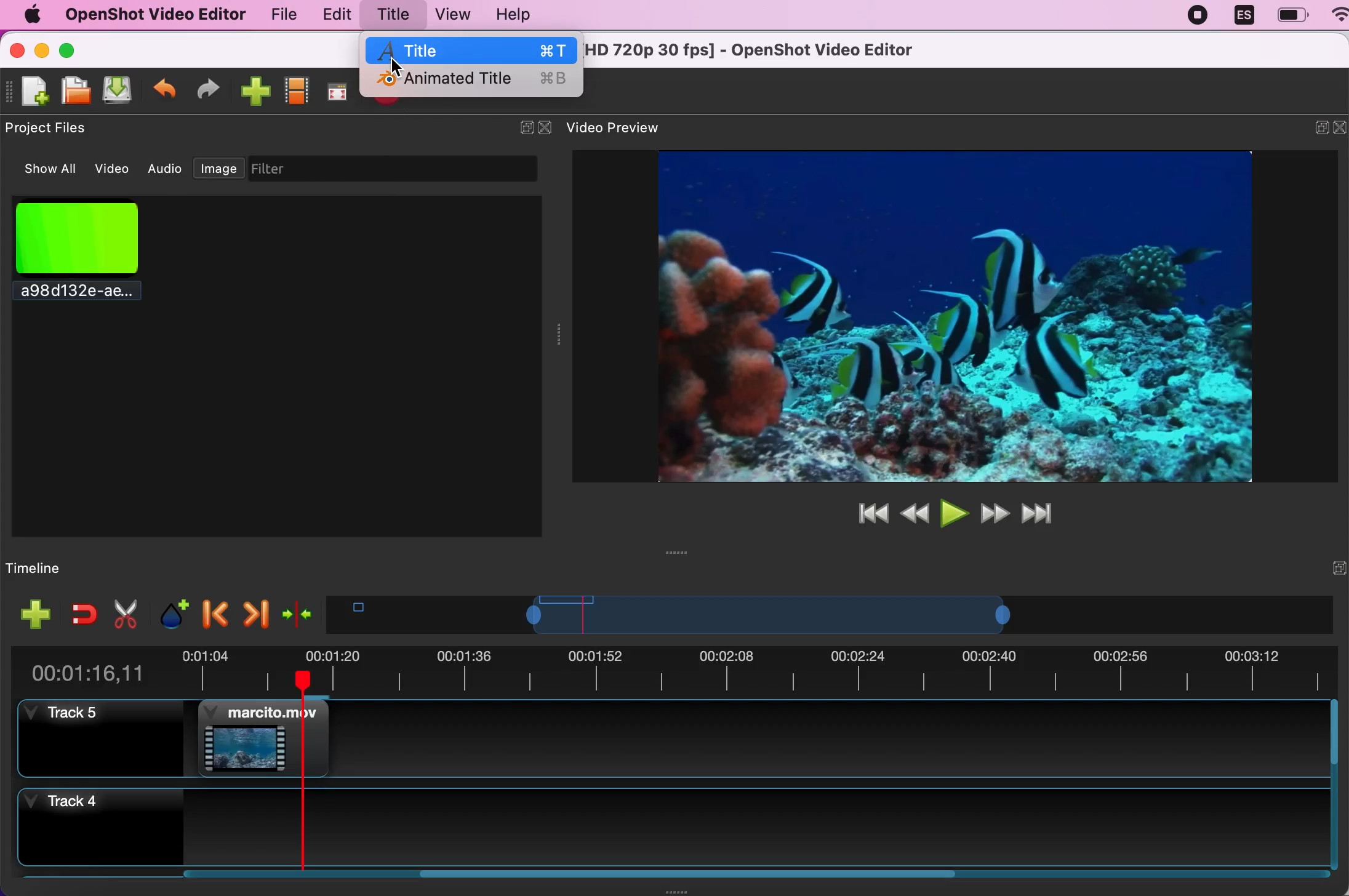 The image size is (1349, 896). I want to click on scroll bar, so click(1335, 785).